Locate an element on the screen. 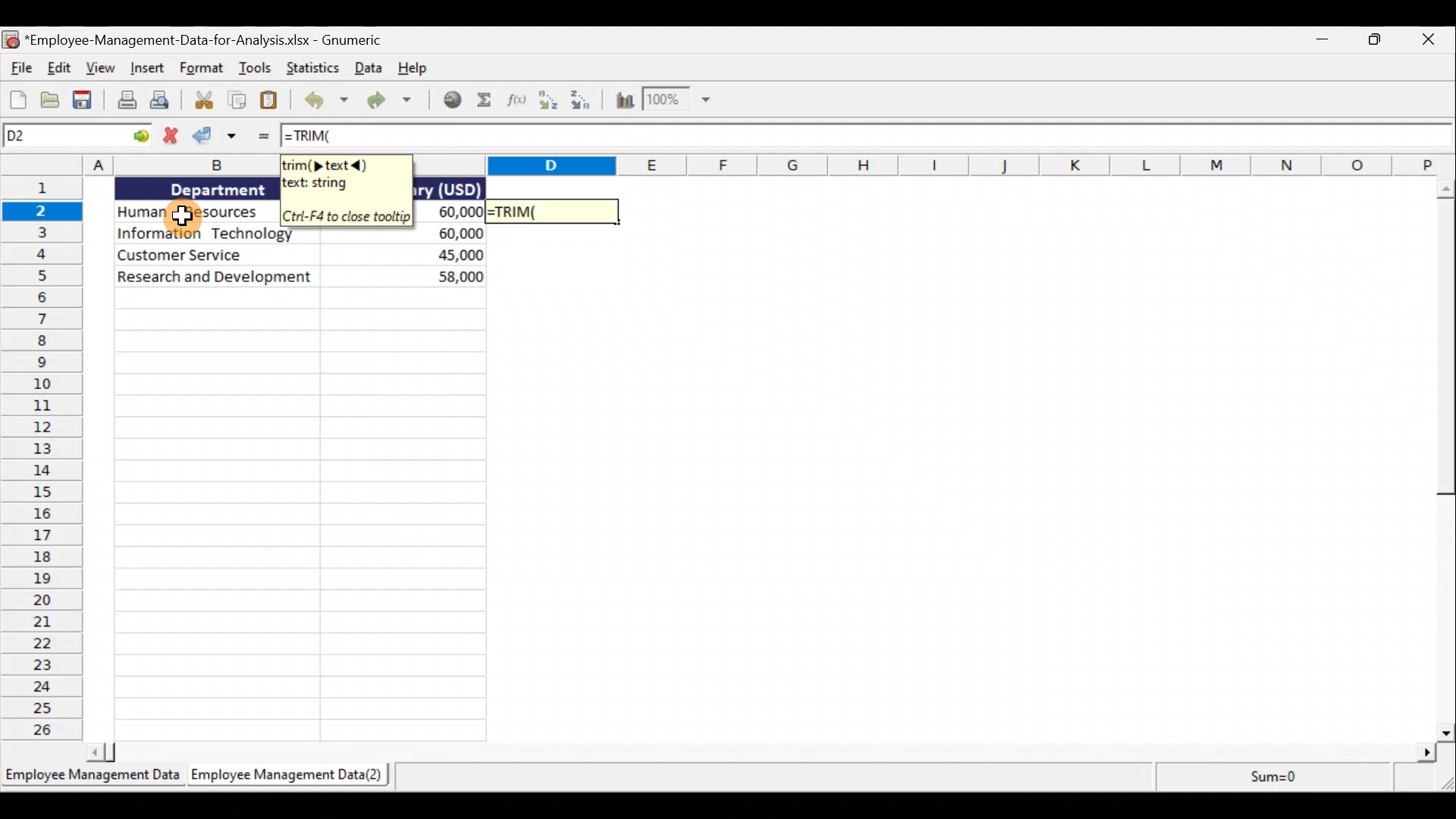 The width and height of the screenshot is (1456, 819). data is located at coordinates (448, 231).